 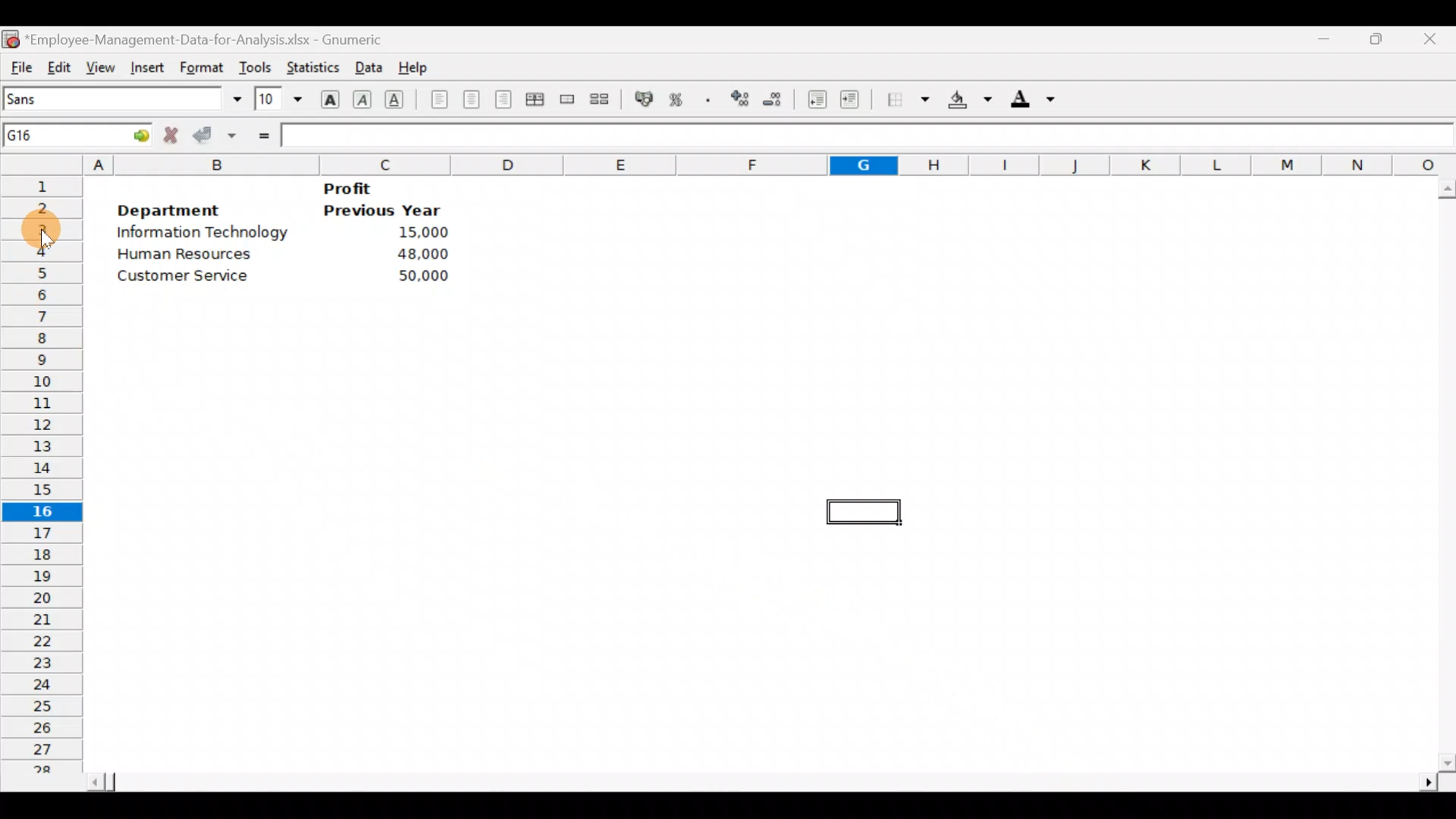 What do you see at coordinates (414, 64) in the screenshot?
I see `Help` at bounding box center [414, 64].